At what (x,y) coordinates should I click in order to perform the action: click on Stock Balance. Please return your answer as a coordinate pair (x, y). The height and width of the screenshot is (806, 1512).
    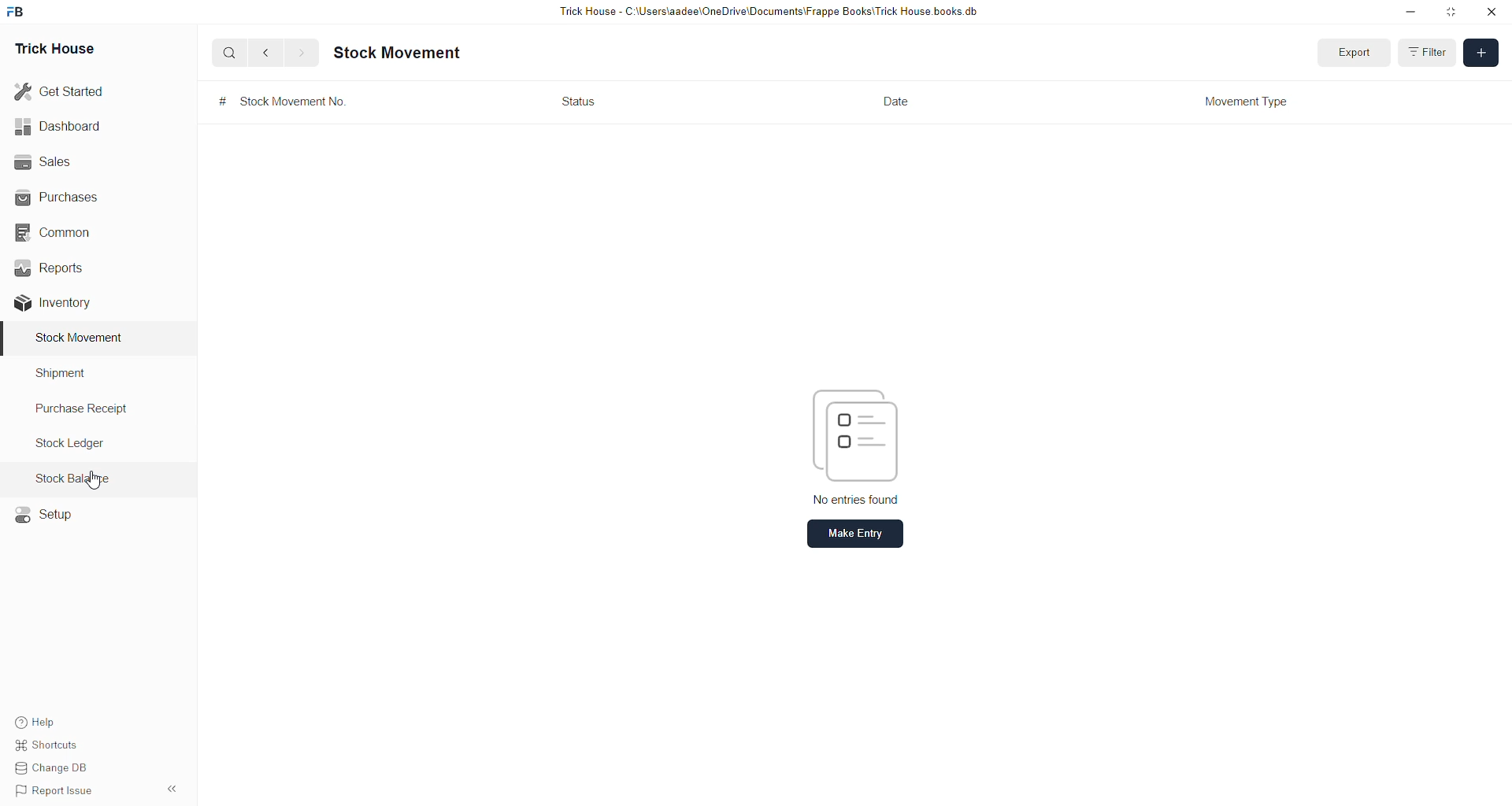
    Looking at the image, I should click on (76, 479).